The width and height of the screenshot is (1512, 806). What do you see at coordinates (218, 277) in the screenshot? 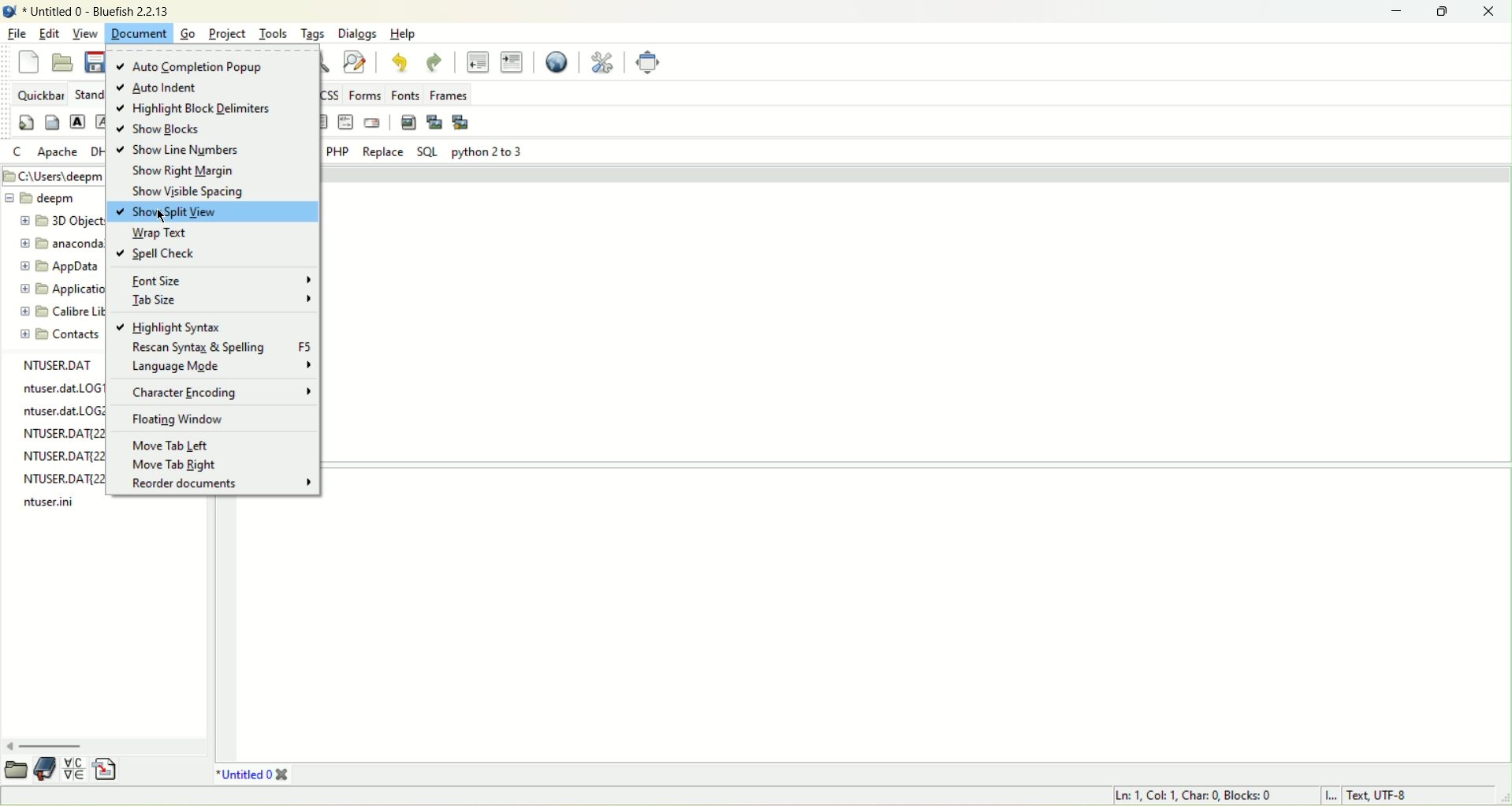
I see `font size` at bounding box center [218, 277].